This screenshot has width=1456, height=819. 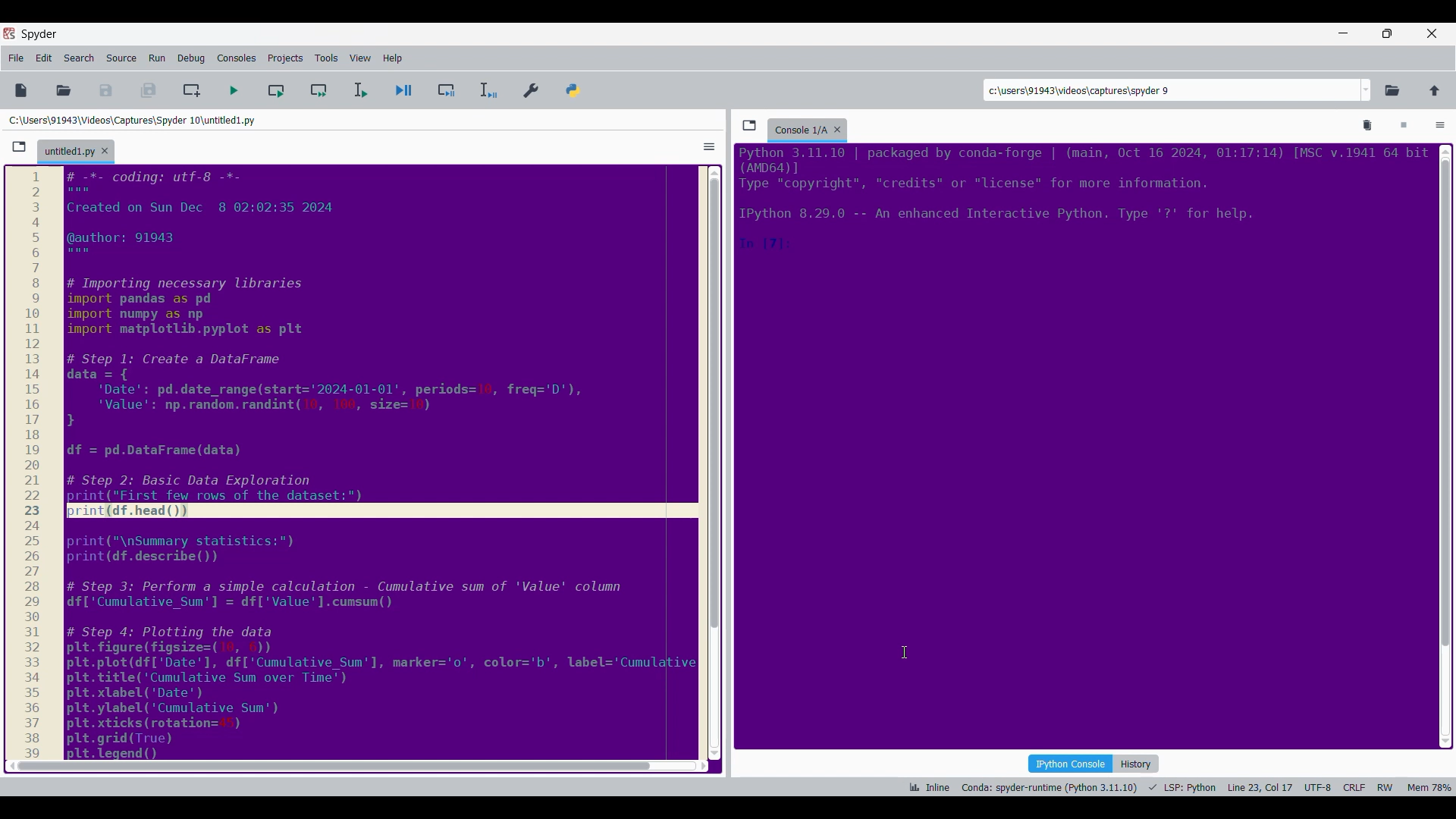 What do you see at coordinates (237, 58) in the screenshot?
I see `Consoles menu` at bounding box center [237, 58].